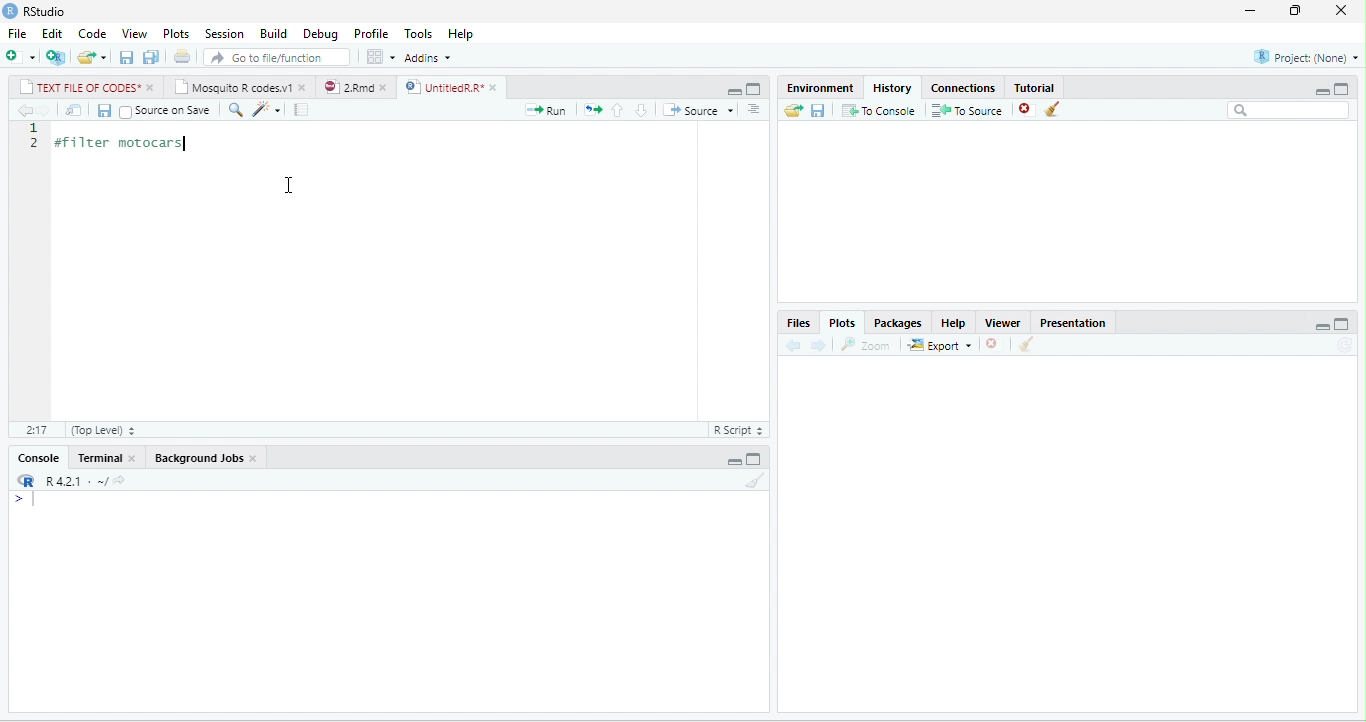  Describe the element at coordinates (276, 58) in the screenshot. I see `search file` at that location.